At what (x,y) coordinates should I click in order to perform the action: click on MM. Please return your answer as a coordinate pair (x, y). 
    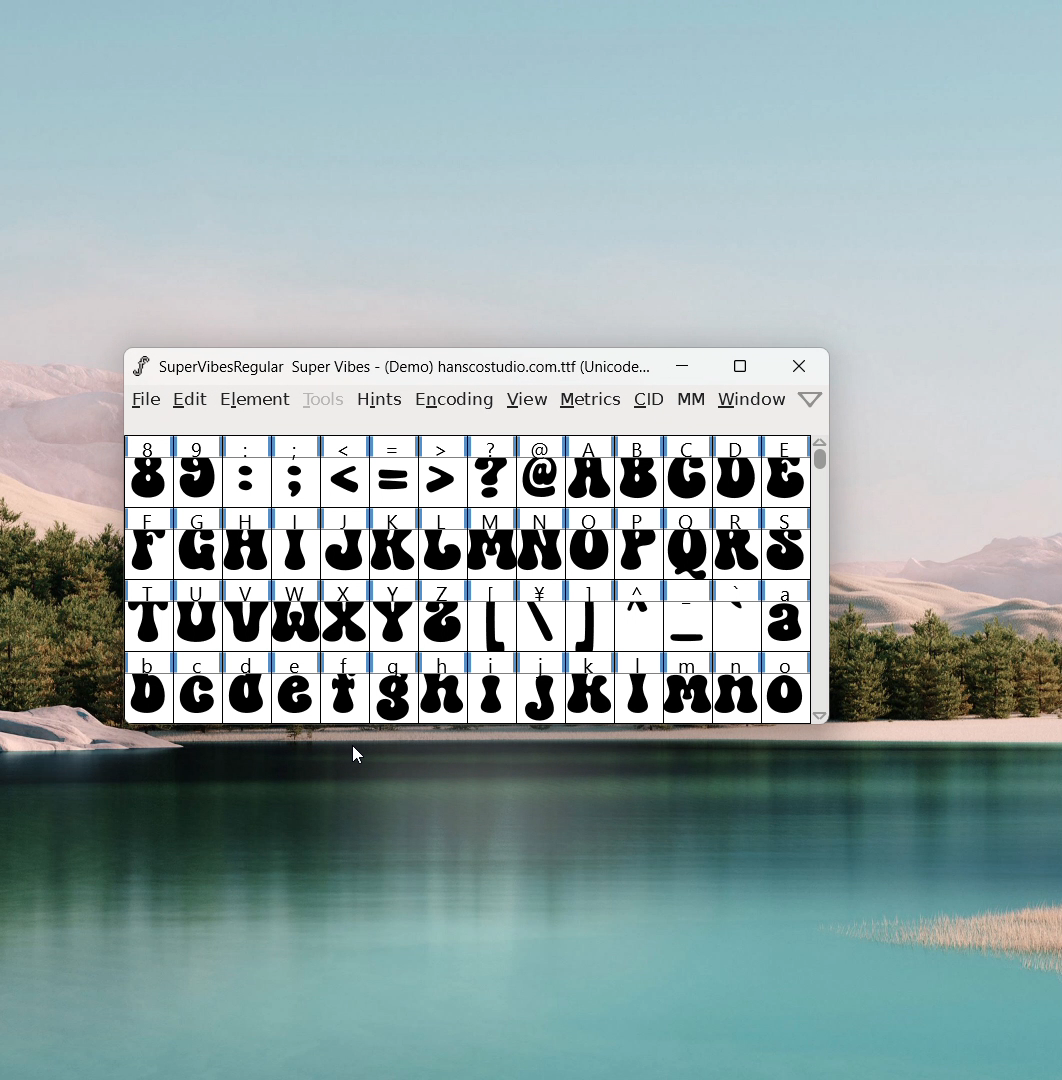
    Looking at the image, I should click on (690, 400).